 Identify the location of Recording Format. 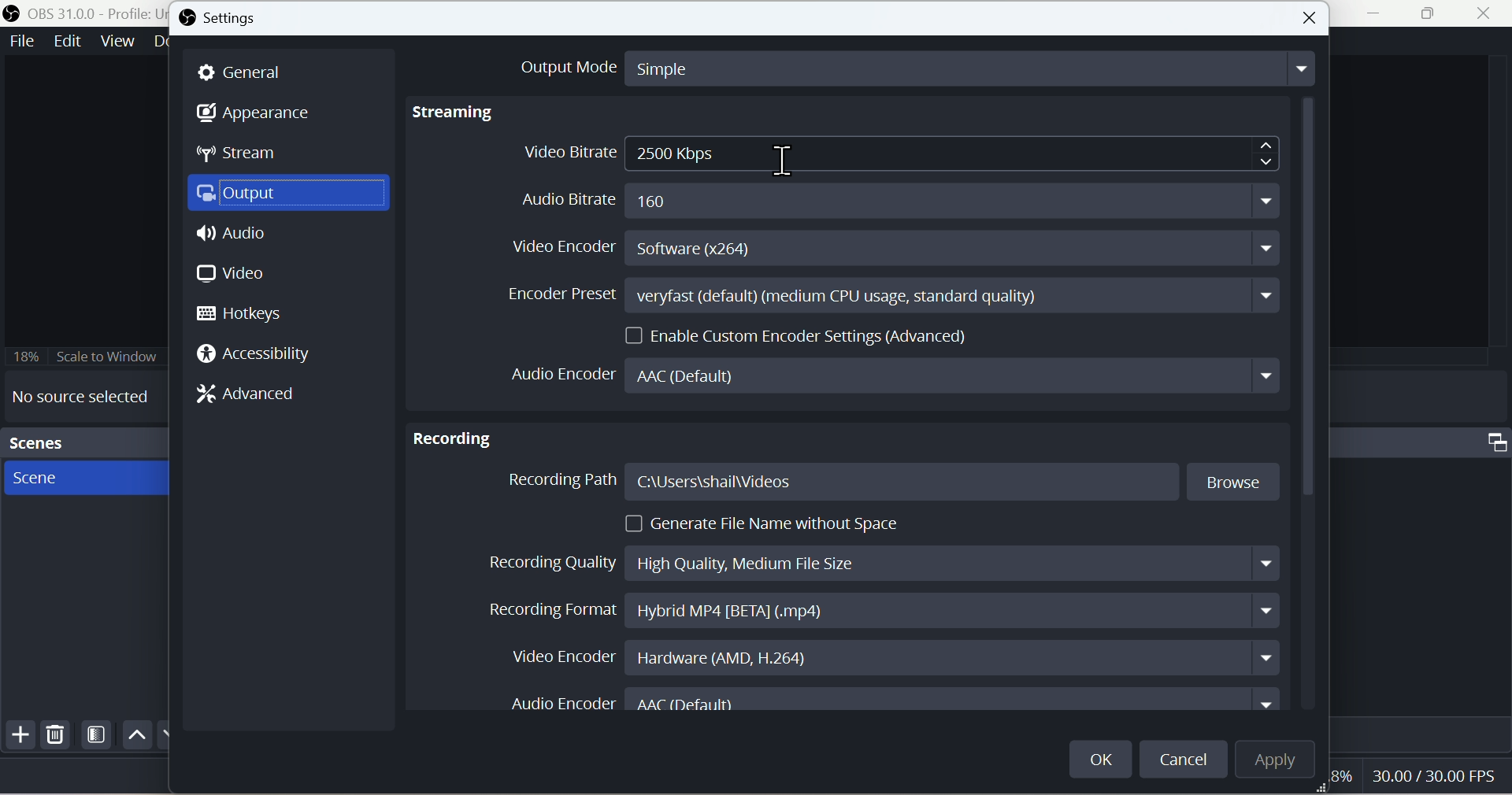
(877, 611).